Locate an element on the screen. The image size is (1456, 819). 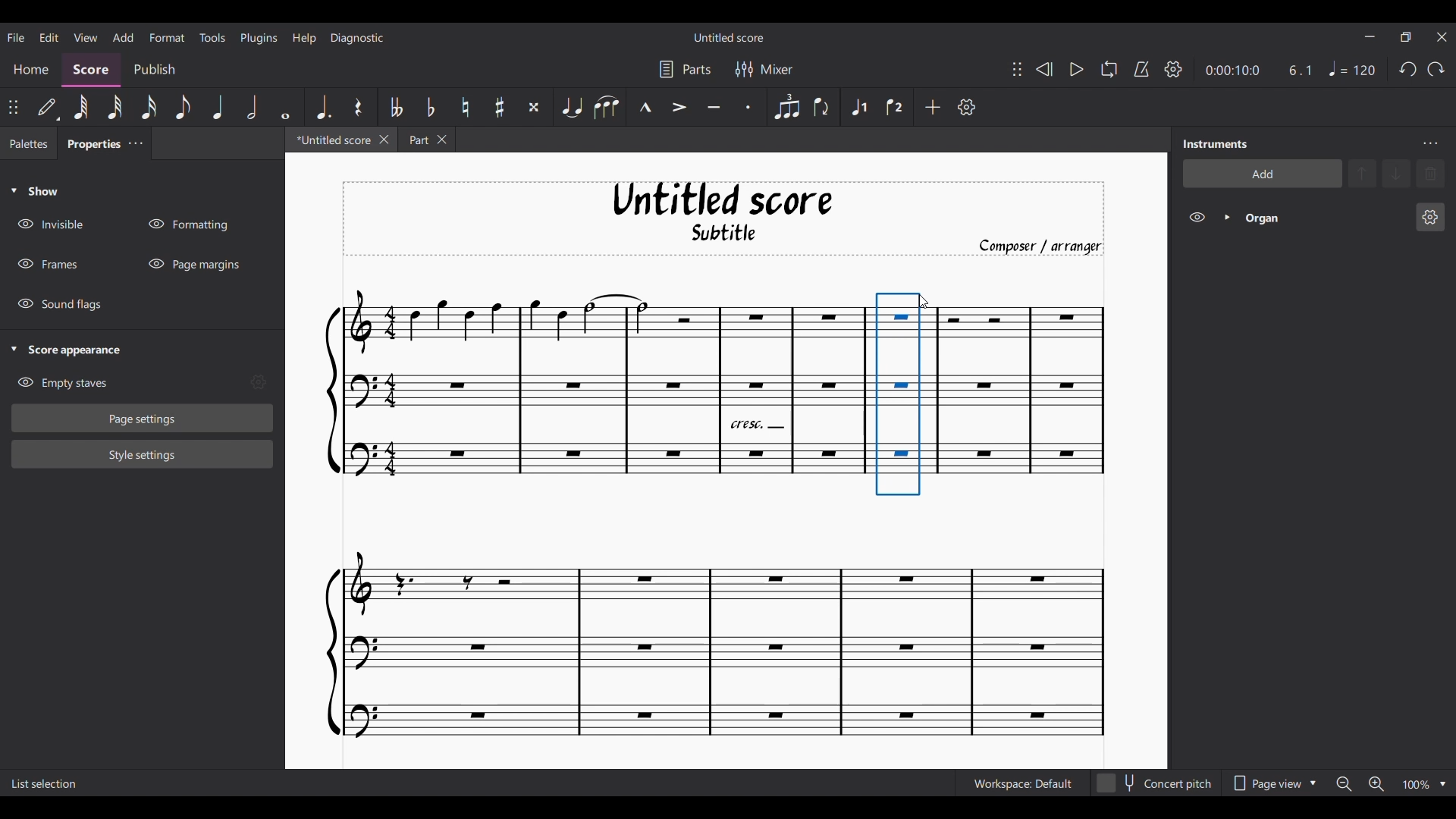
Instruments panel settings is located at coordinates (1430, 143).